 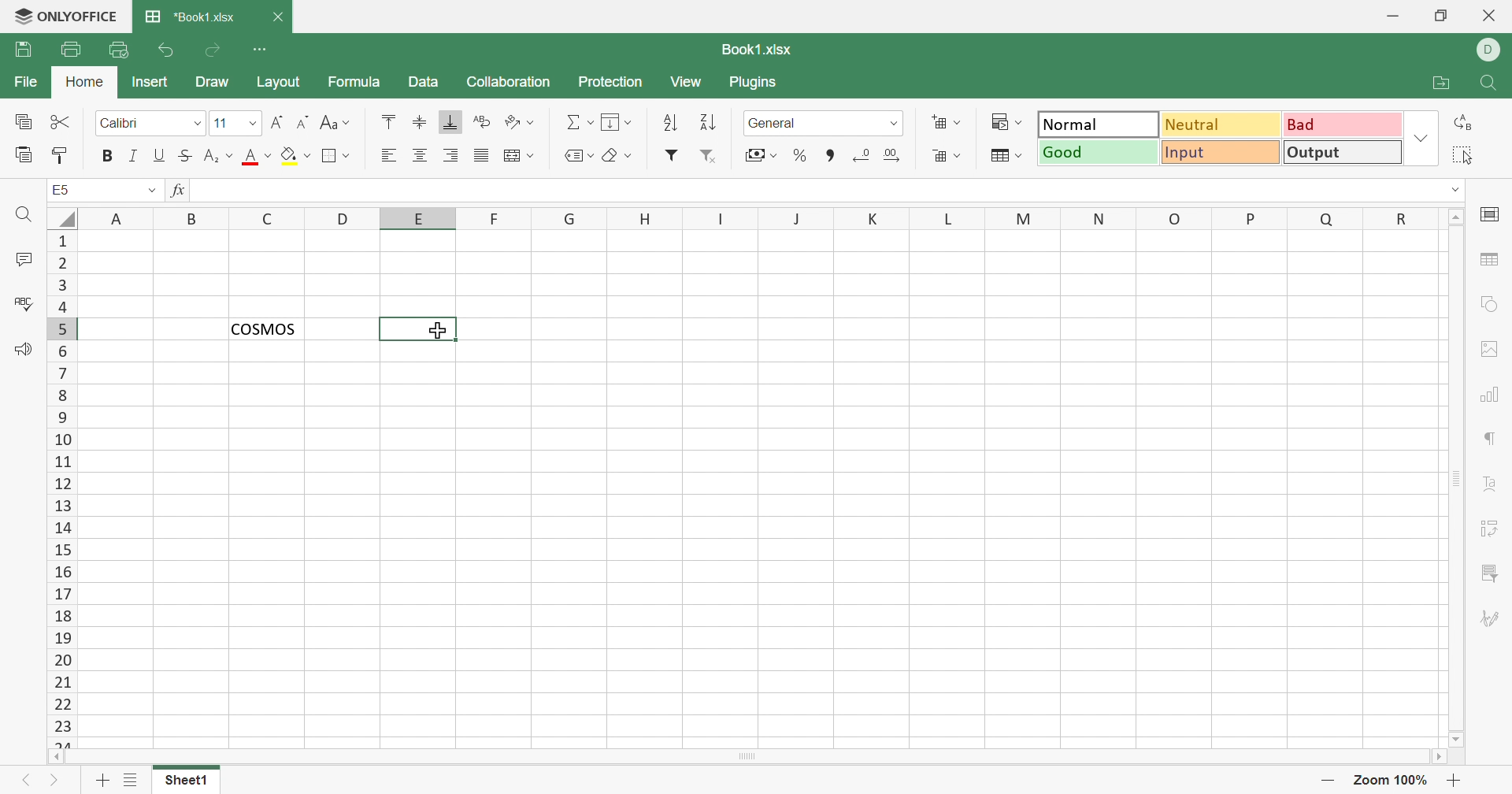 I want to click on Pivot settings, so click(x=1492, y=531).